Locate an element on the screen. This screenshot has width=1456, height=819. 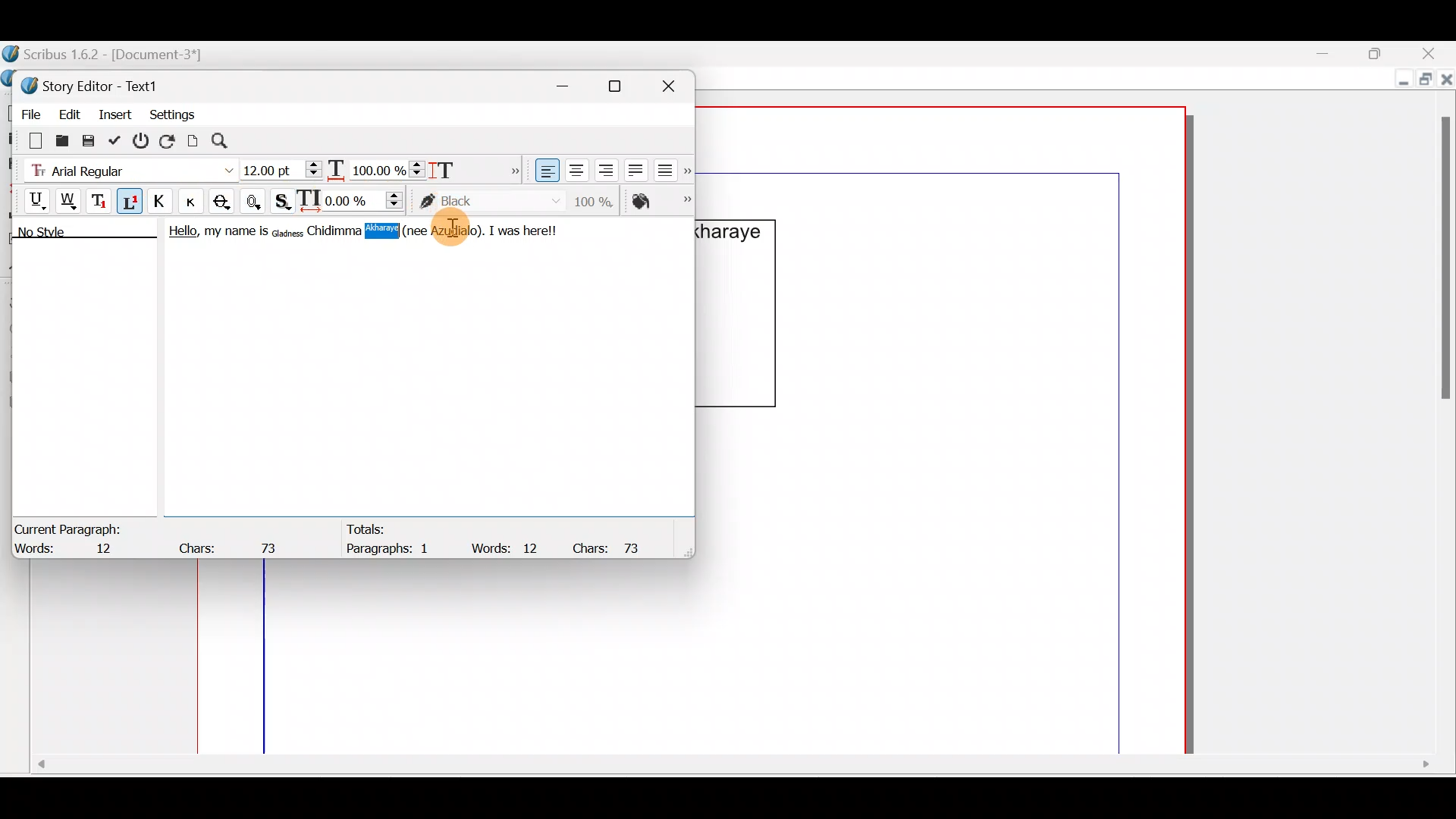
Story Editor - Text1 is located at coordinates (95, 84).